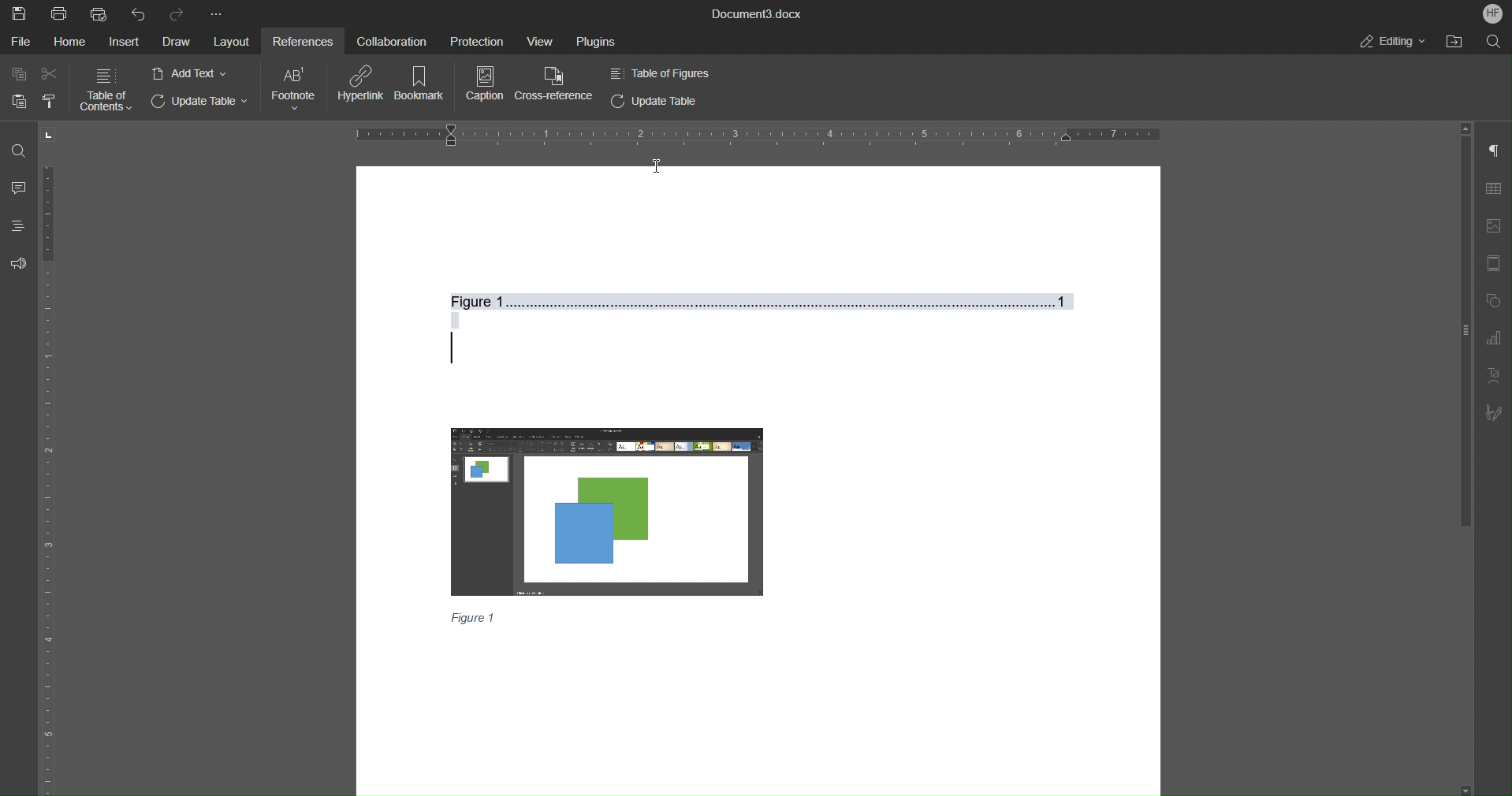 The width and height of the screenshot is (1512, 796). What do you see at coordinates (483, 85) in the screenshot?
I see `Caption` at bounding box center [483, 85].